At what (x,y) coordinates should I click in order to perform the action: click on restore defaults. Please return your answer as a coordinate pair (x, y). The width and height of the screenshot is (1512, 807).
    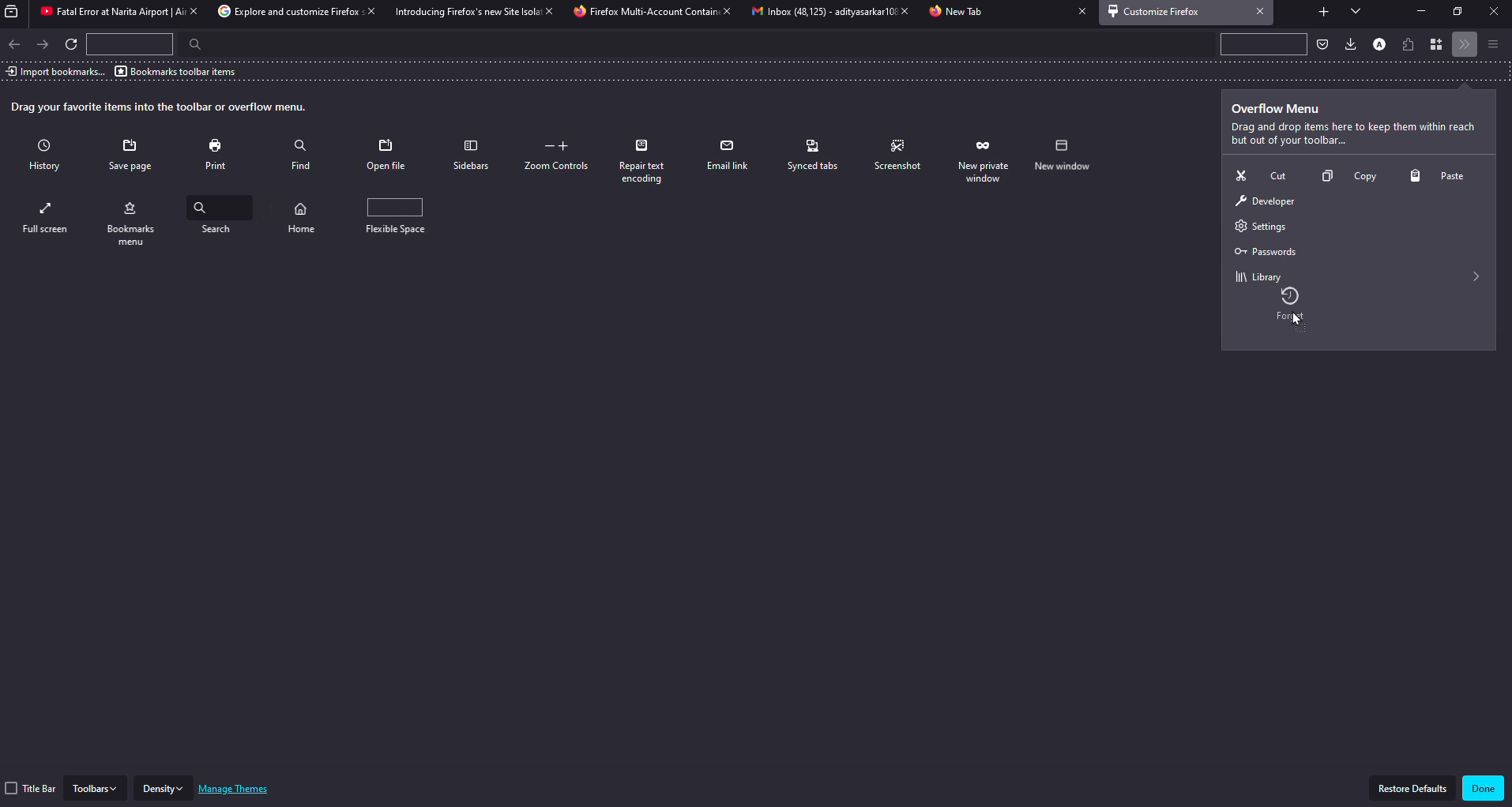
    Looking at the image, I should click on (1413, 788).